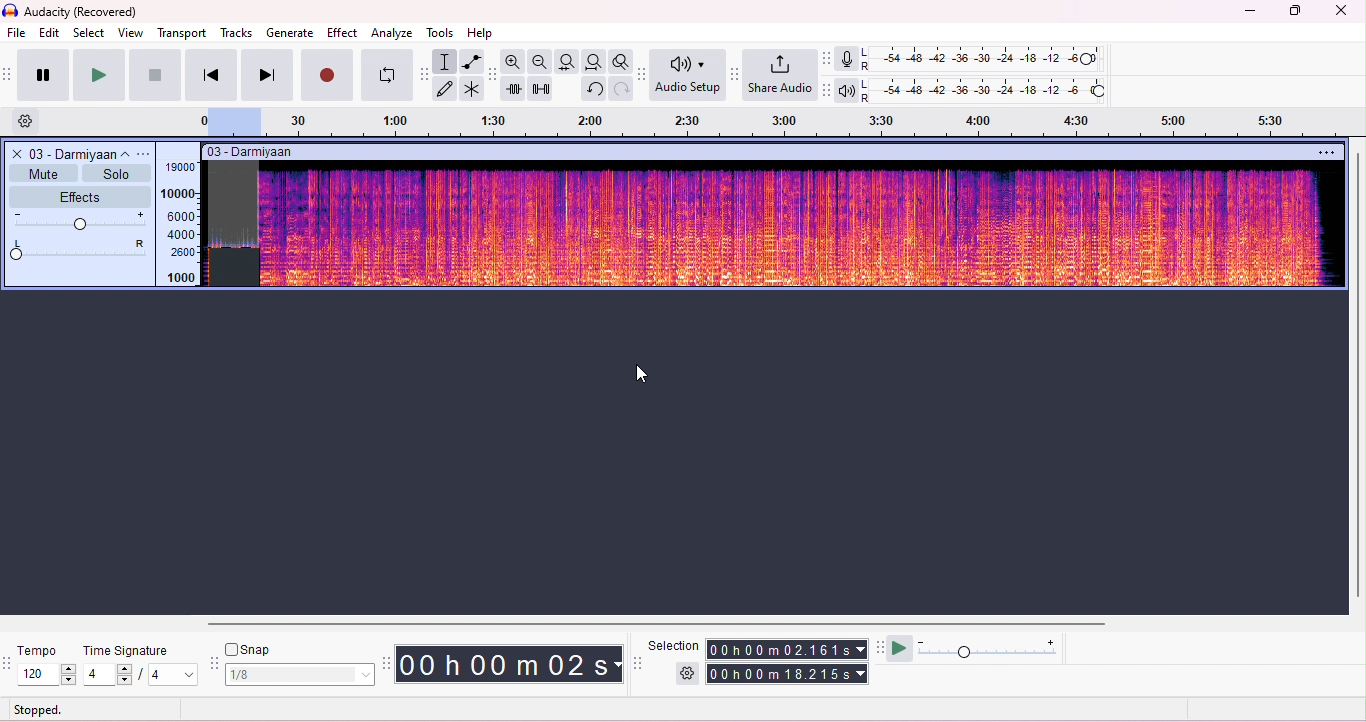 The image size is (1366, 722). What do you see at coordinates (211, 75) in the screenshot?
I see `previous` at bounding box center [211, 75].